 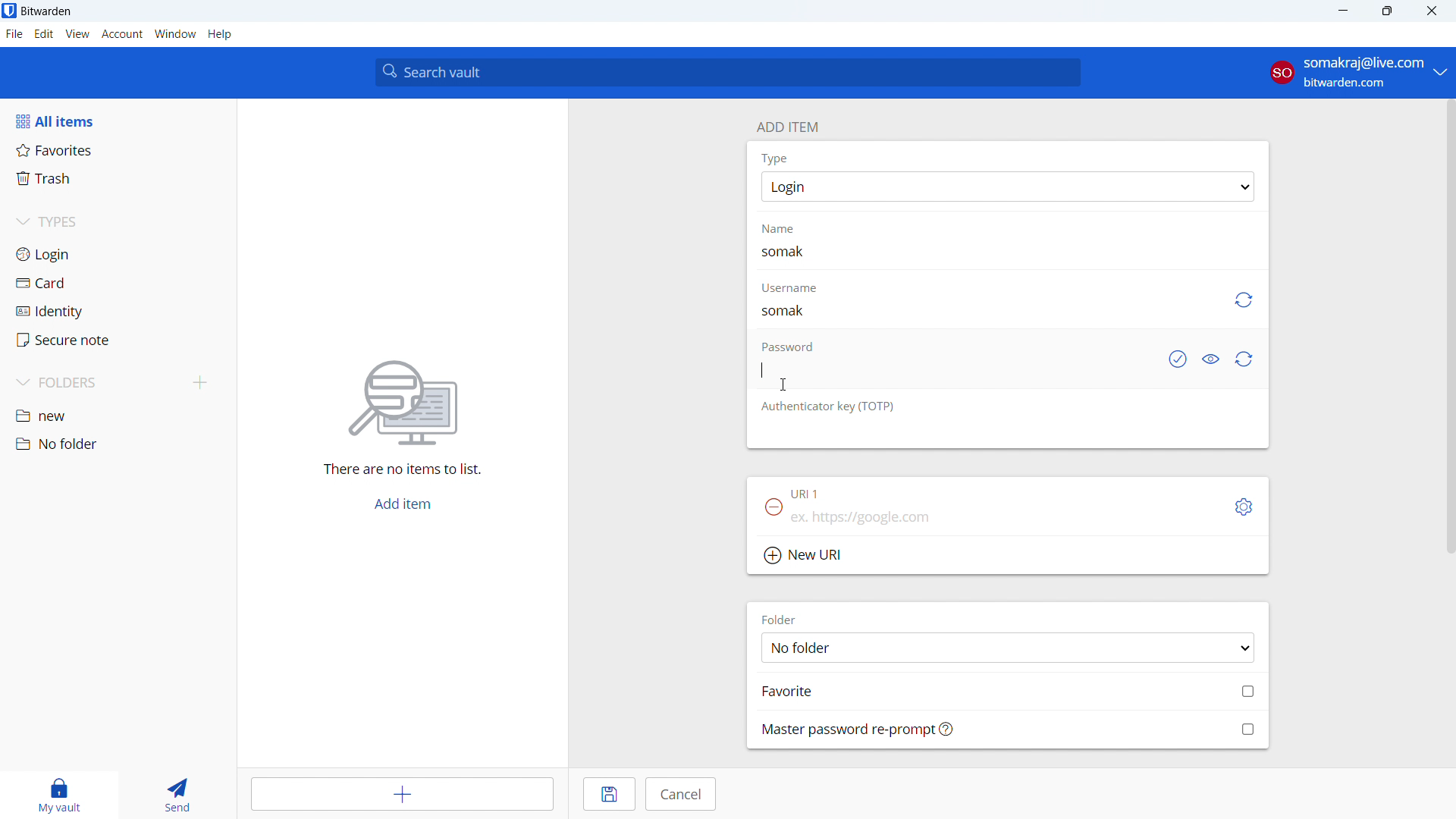 What do you see at coordinates (402, 403) in the screenshot?
I see `searching for file vector icon` at bounding box center [402, 403].